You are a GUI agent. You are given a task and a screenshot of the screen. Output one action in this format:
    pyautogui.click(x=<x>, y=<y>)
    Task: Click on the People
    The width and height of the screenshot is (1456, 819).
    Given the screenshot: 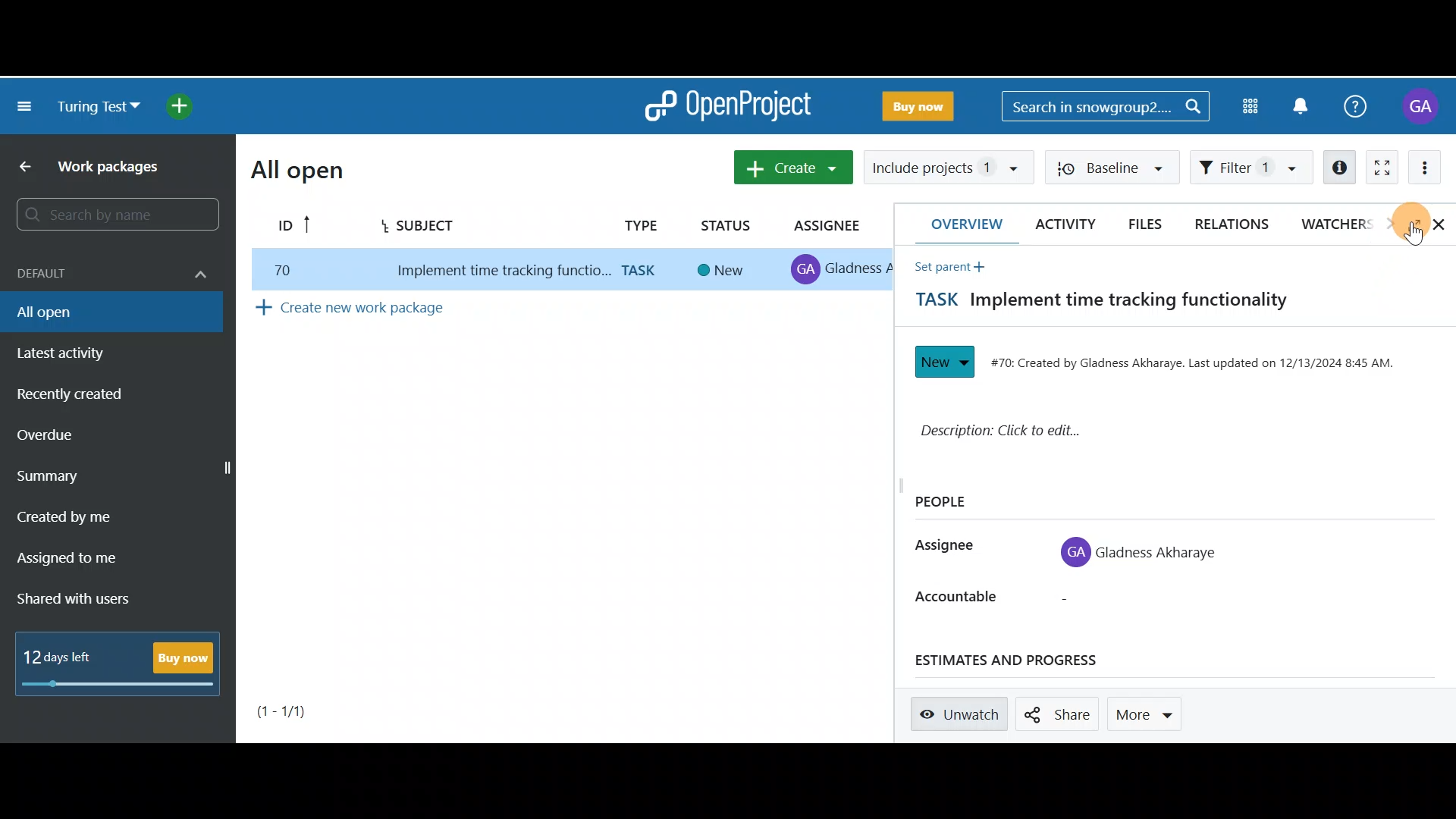 What is the action you would take?
    pyautogui.click(x=948, y=504)
    